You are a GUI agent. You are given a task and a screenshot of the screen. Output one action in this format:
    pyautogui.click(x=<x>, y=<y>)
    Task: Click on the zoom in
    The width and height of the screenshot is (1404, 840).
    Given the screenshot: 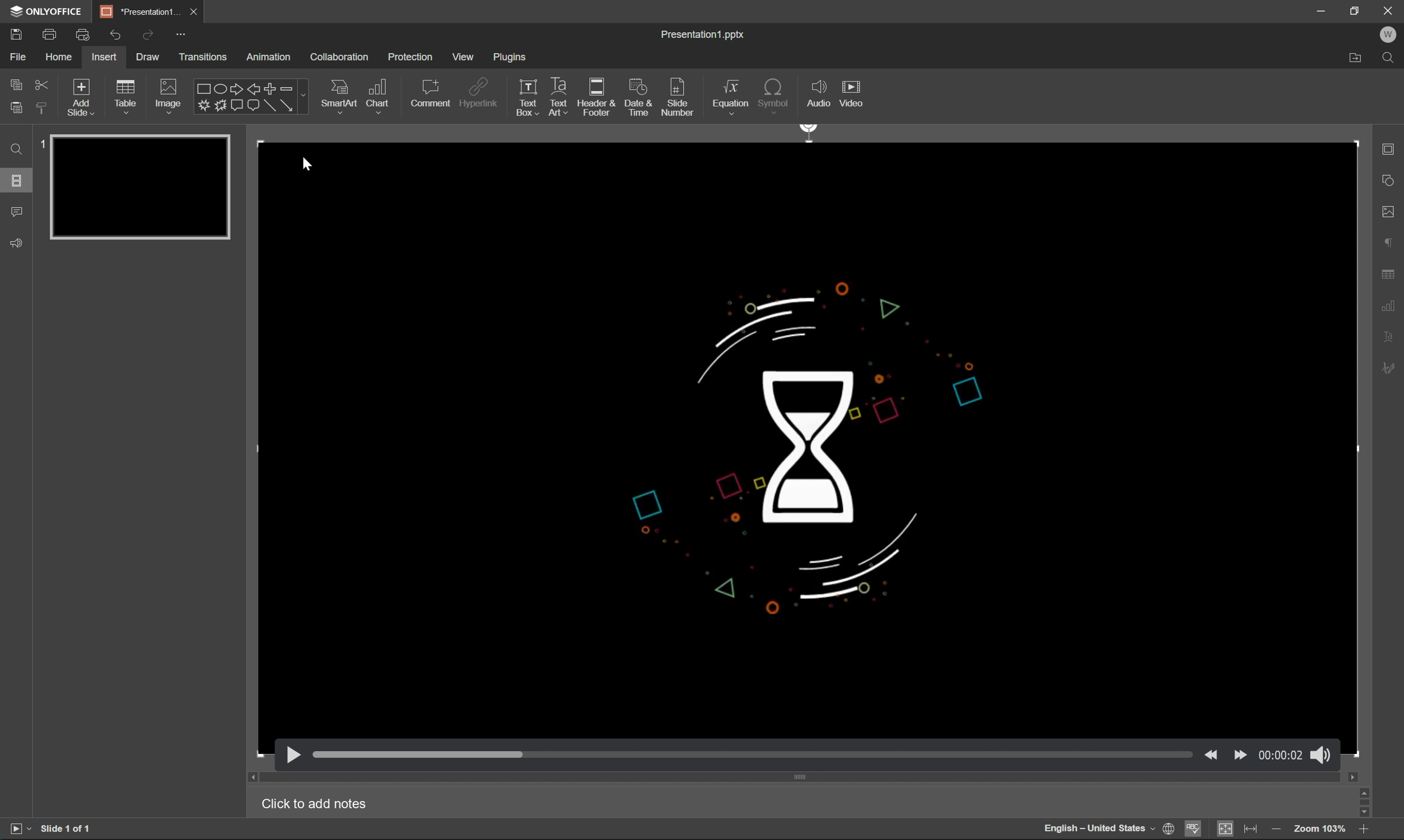 What is the action you would take?
    pyautogui.click(x=1277, y=830)
    